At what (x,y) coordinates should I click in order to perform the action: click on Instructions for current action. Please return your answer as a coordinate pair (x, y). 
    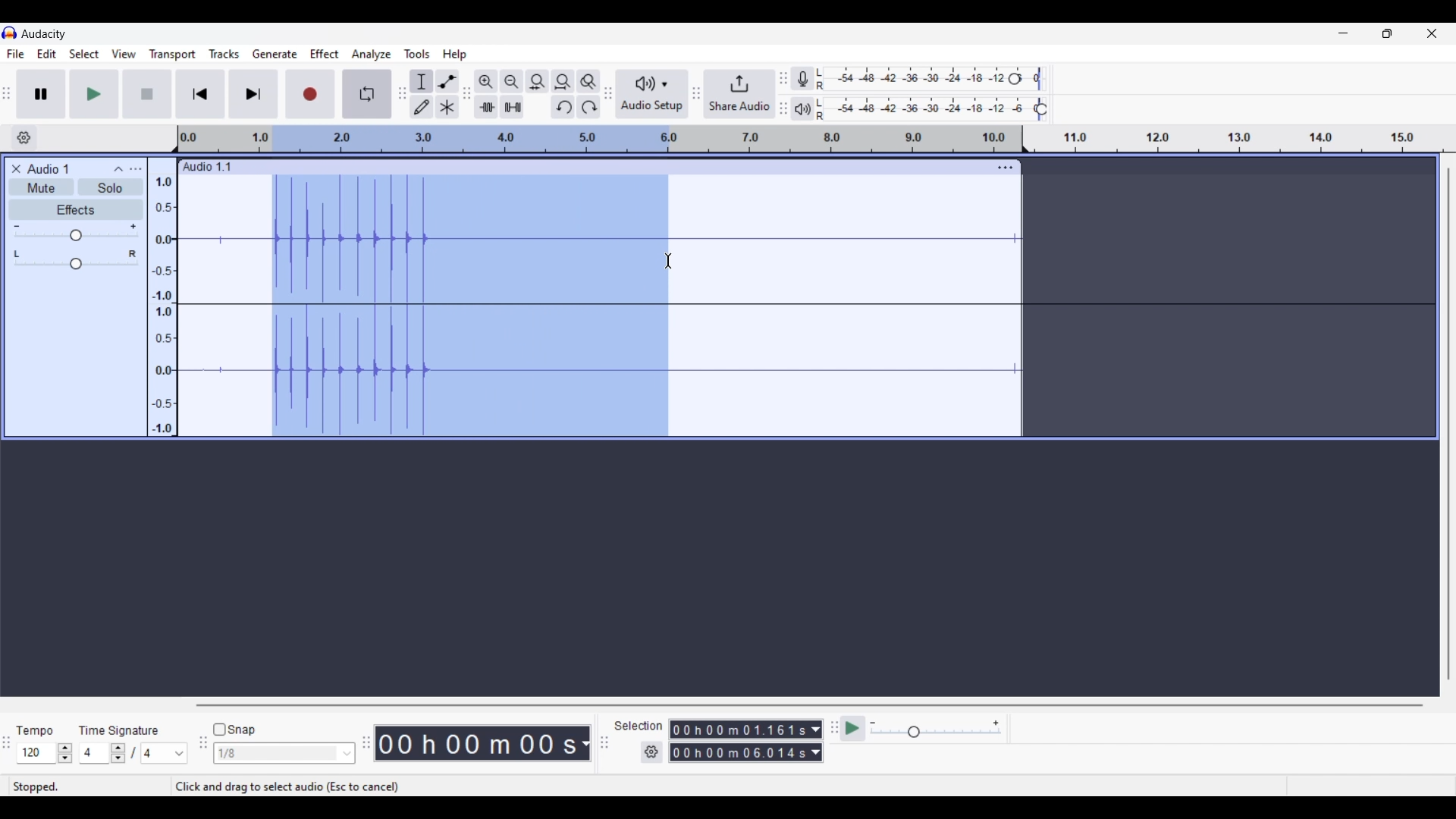
    Looking at the image, I should click on (287, 787).